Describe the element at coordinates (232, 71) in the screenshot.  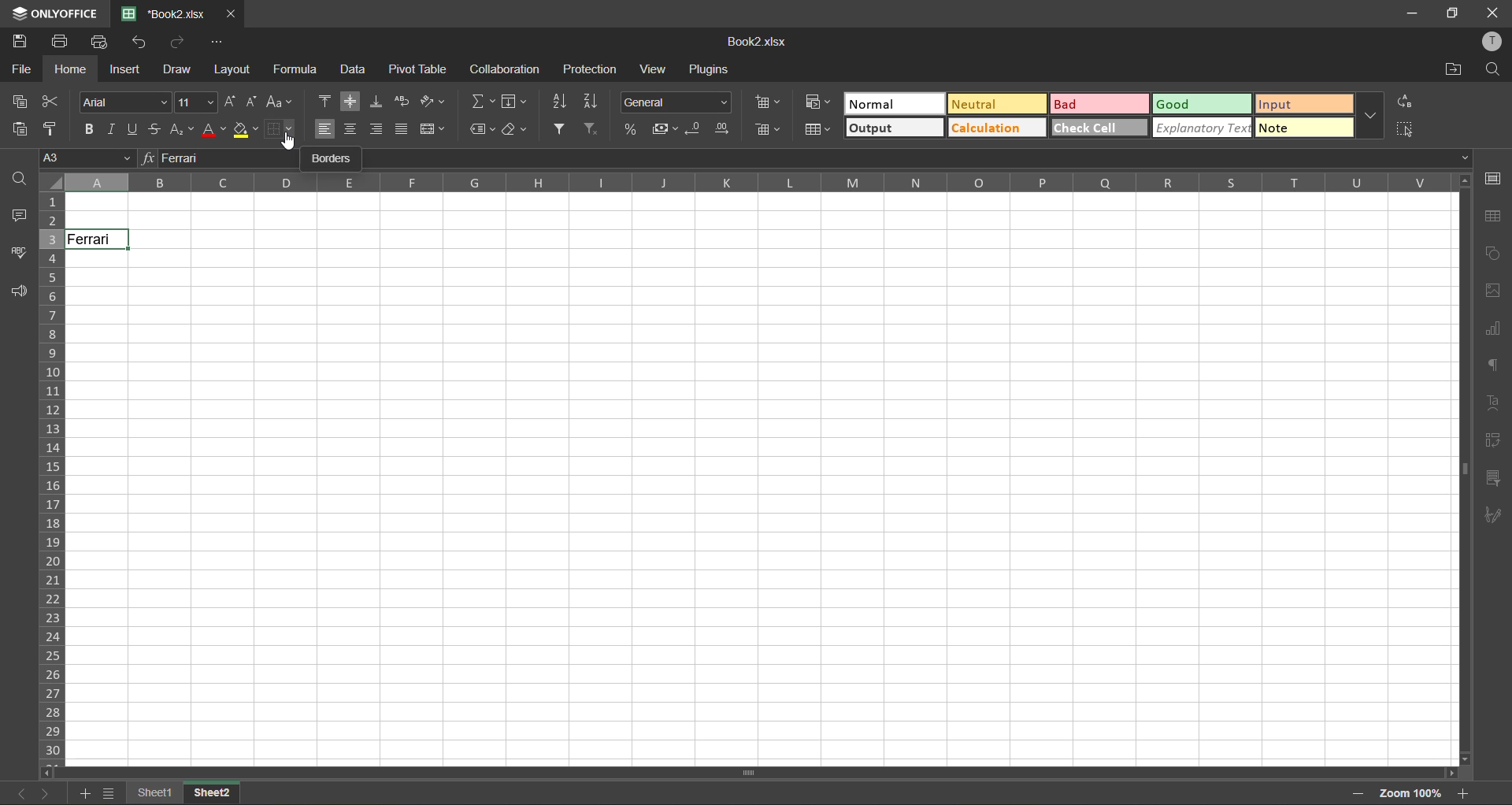
I see `layout` at that location.